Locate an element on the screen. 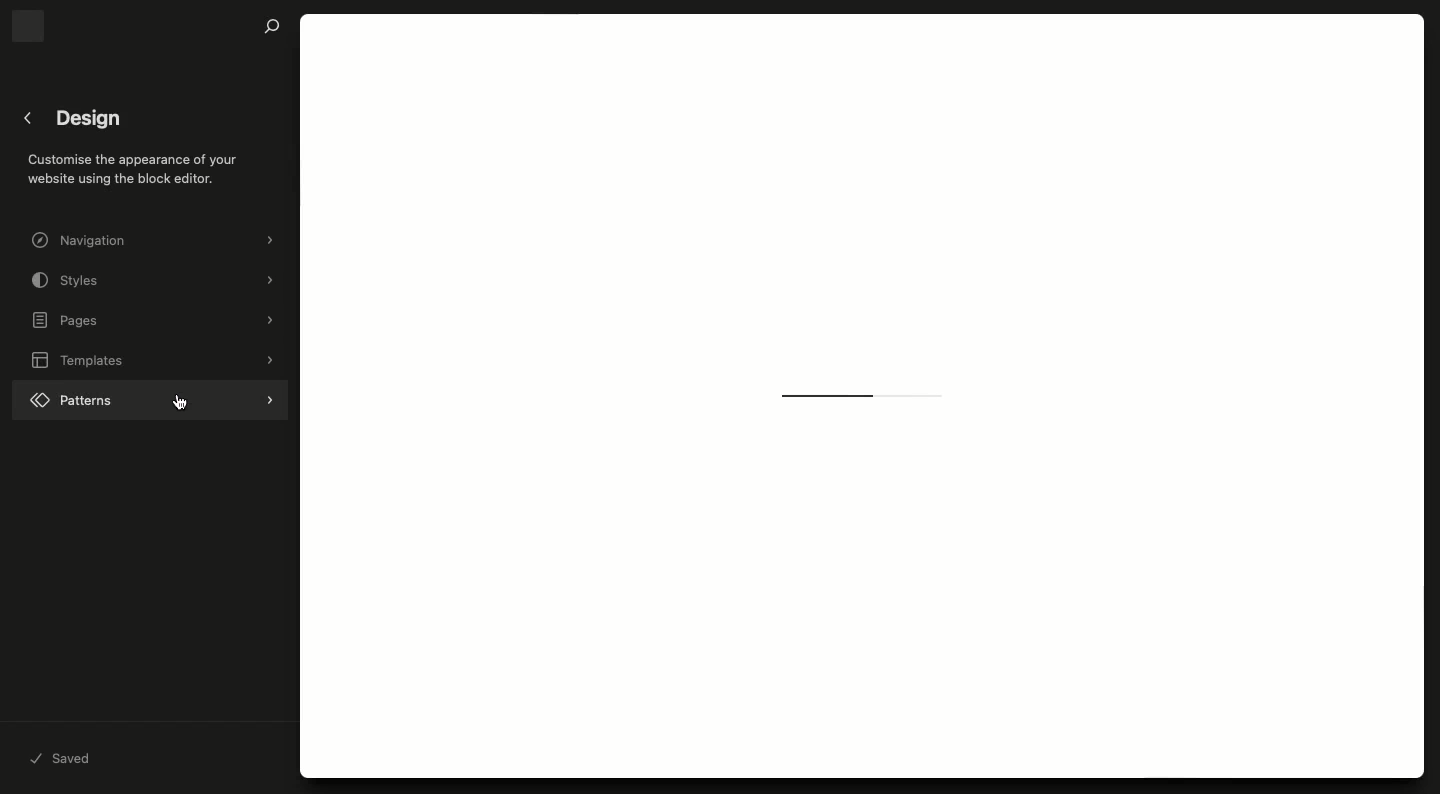 The height and width of the screenshot is (794, 1440). Styles is located at coordinates (157, 280).